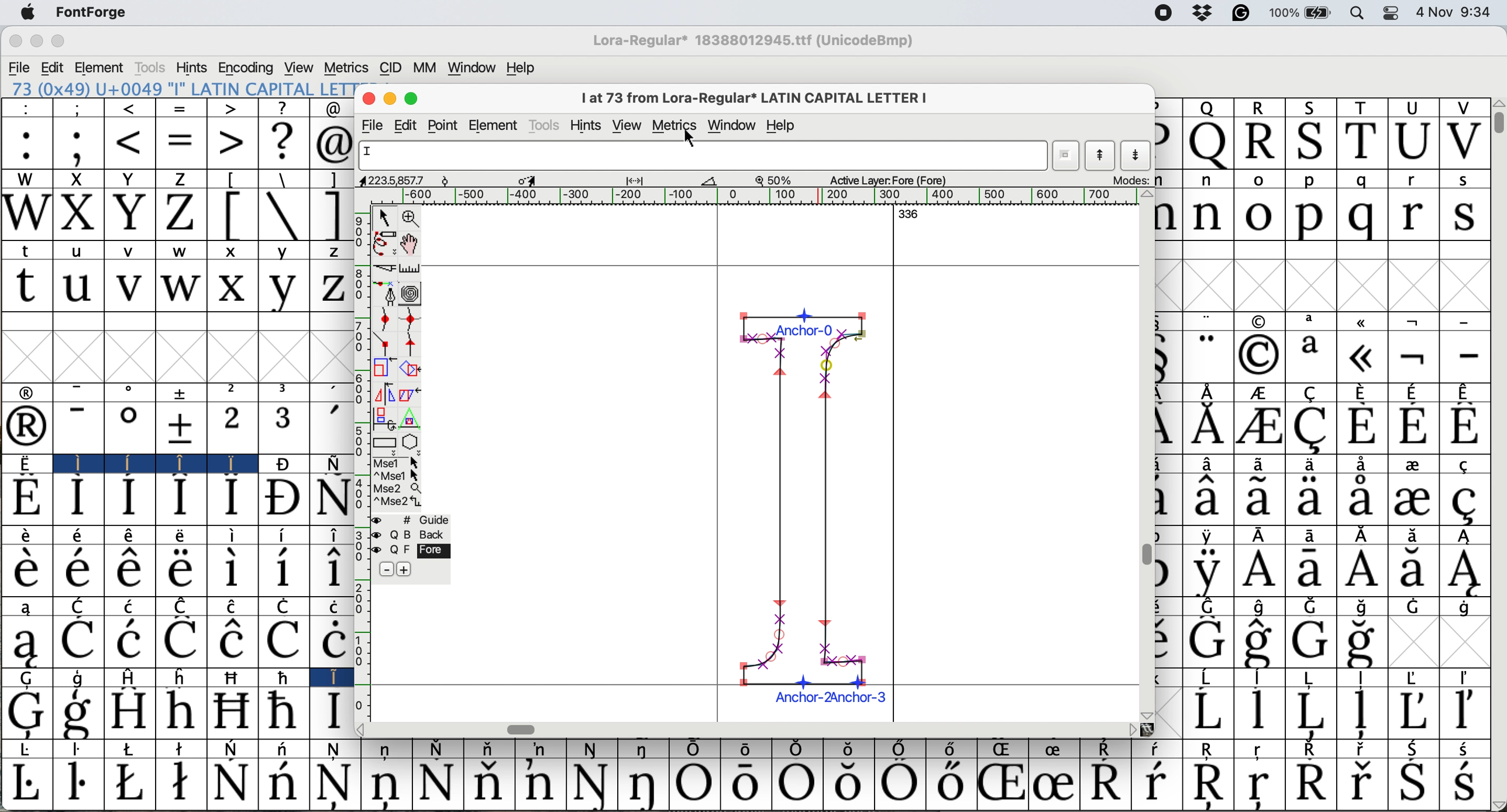  I want to click on Symbol, so click(1414, 465).